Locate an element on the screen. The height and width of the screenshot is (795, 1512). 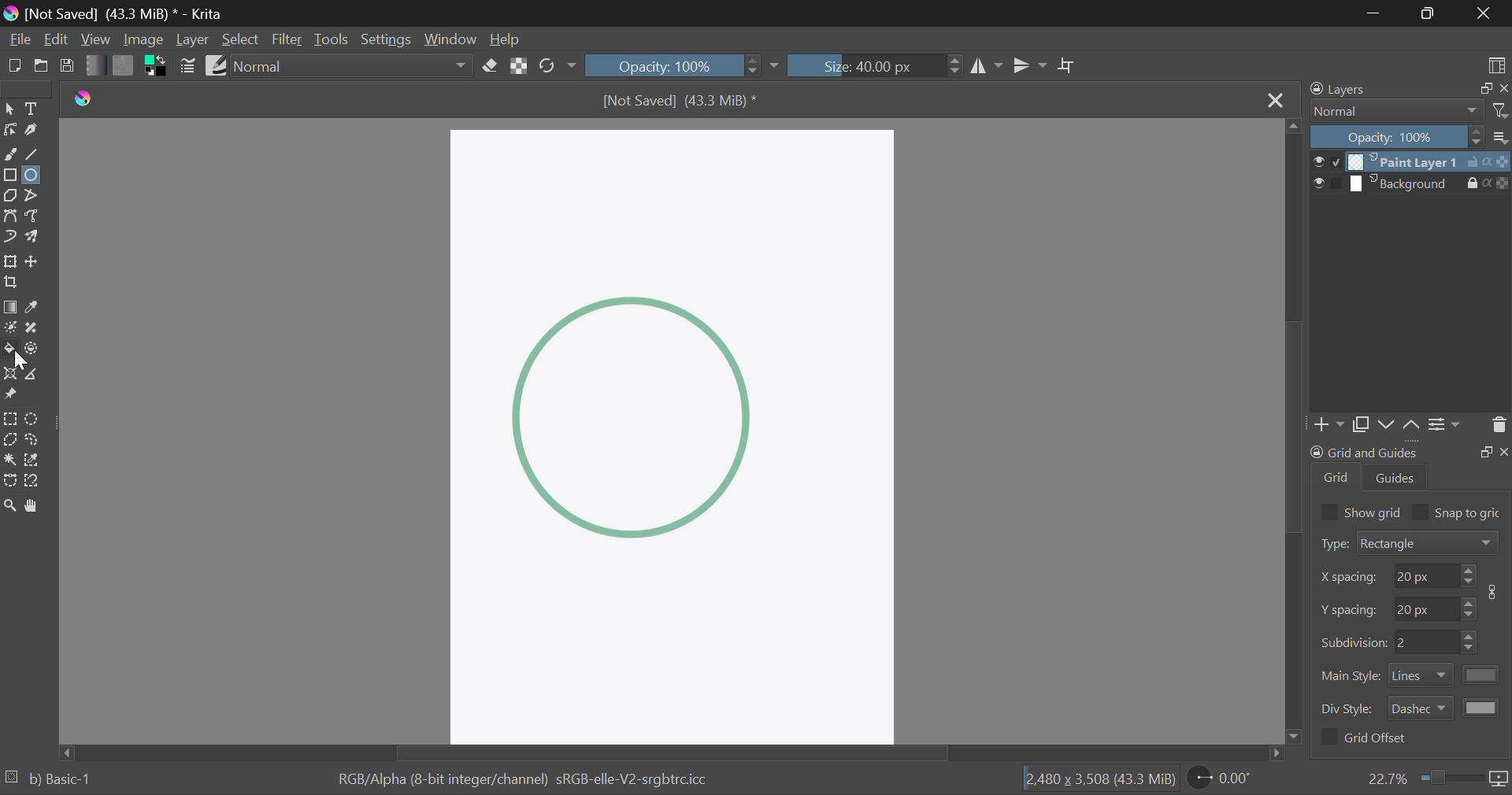
Bezier Curve is located at coordinates (10, 215).